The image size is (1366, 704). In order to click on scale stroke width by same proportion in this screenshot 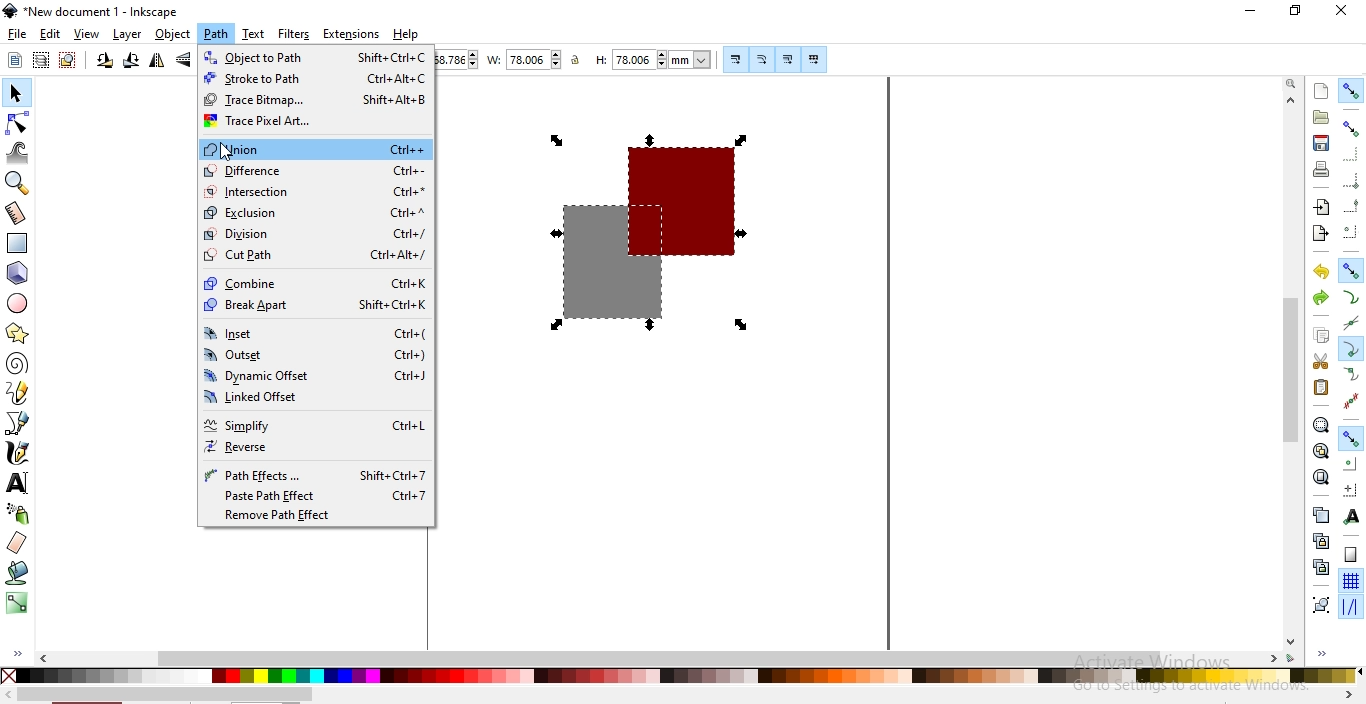, I will do `click(733, 59)`.